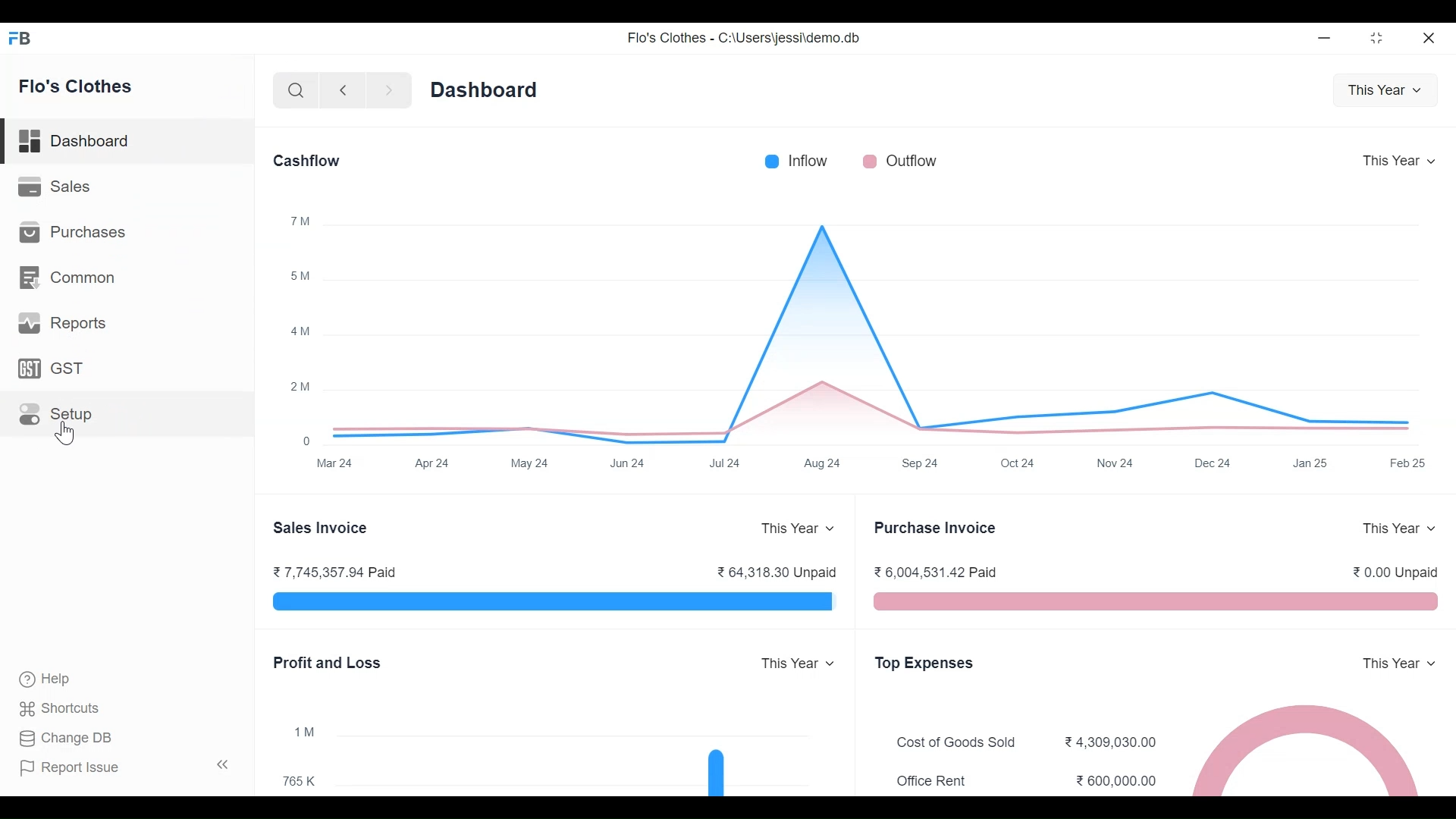  What do you see at coordinates (778, 574) in the screenshot?
I see `64,318.30 Unpaid` at bounding box center [778, 574].